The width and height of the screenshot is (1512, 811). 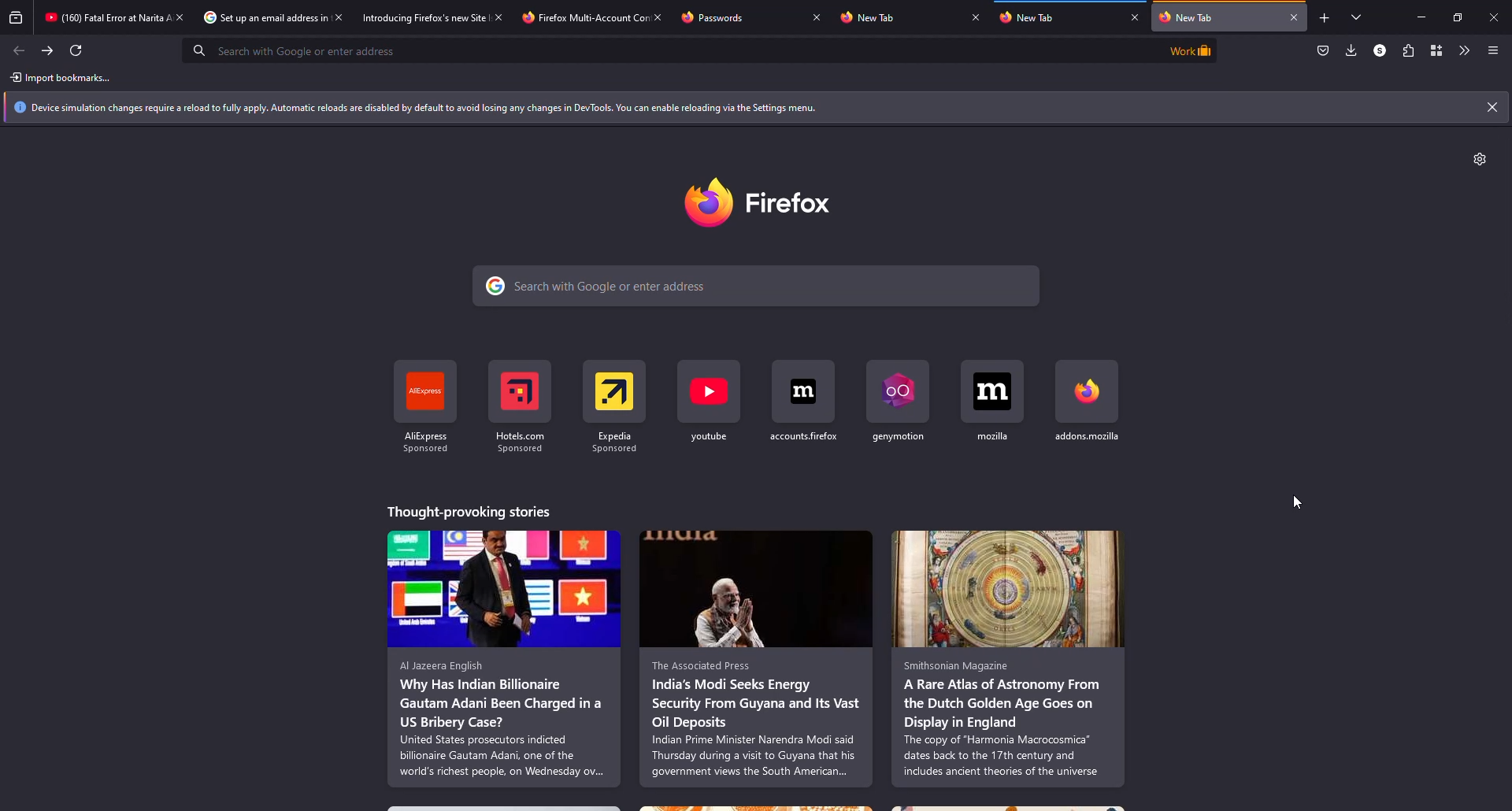 What do you see at coordinates (1480, 159) in the screenshot?
I see `settings` at bounding box center [1480, 159].